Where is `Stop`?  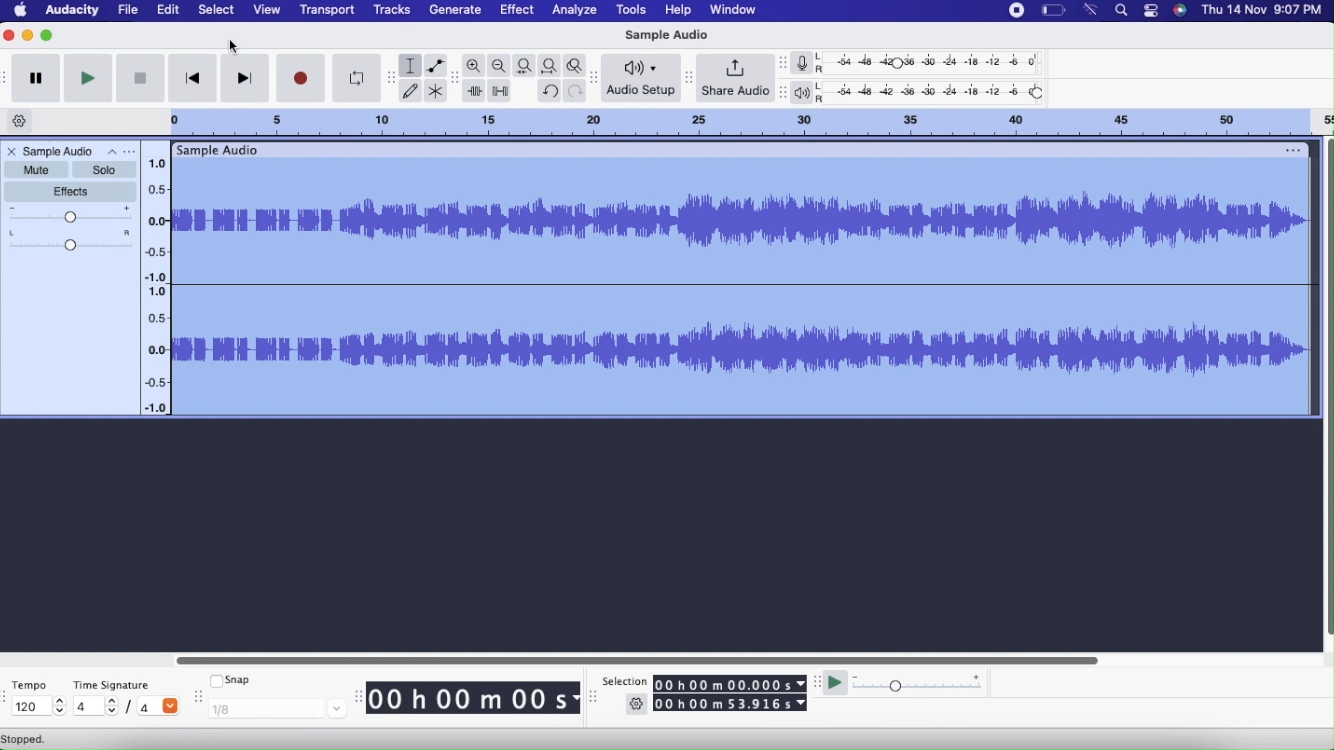
Stop is located at coordinates (141, 78).